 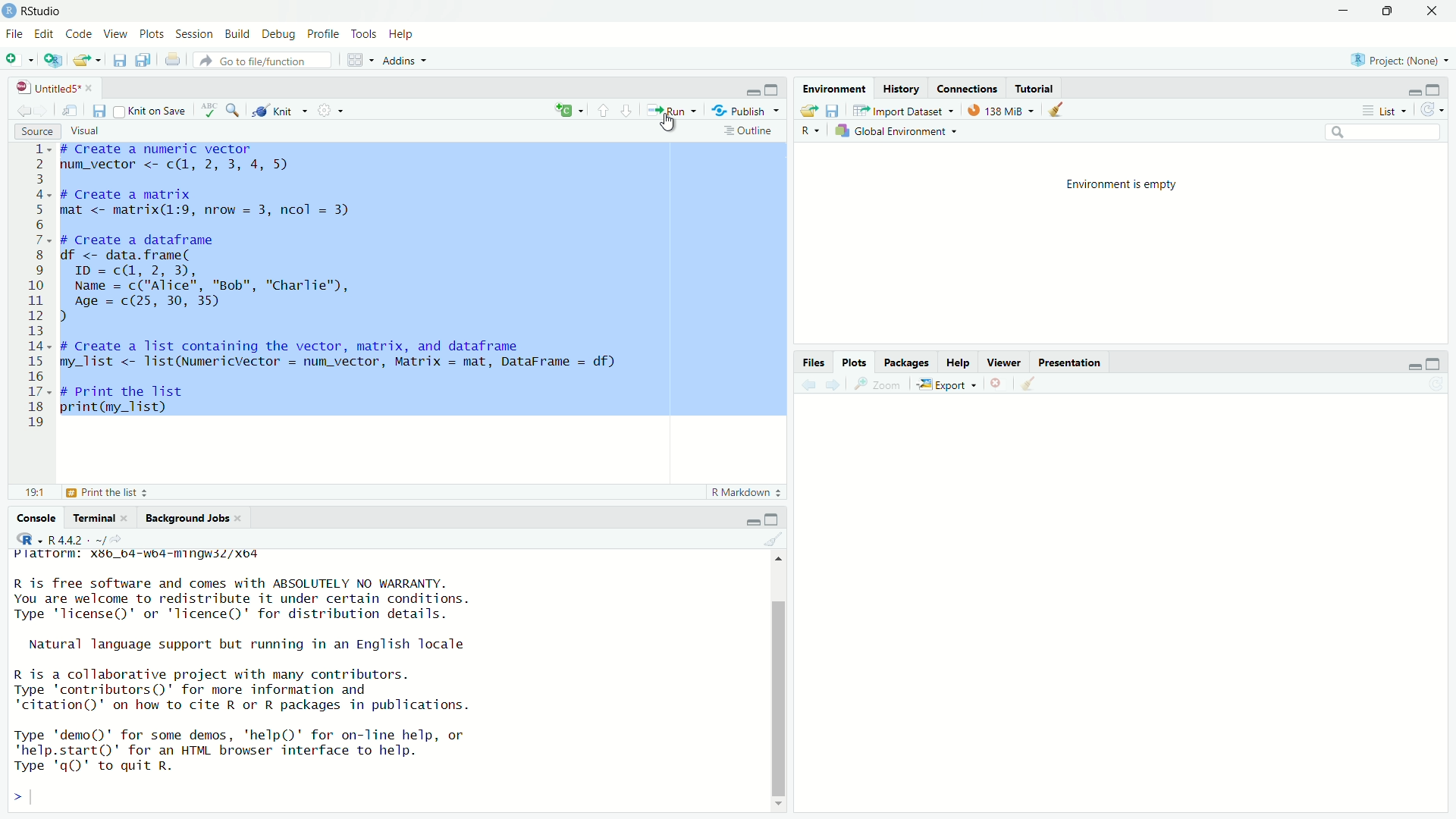 What do you see at coordinates (152, 35) in the screenshot?
I see `Plots` at bounding box center [152, 35].